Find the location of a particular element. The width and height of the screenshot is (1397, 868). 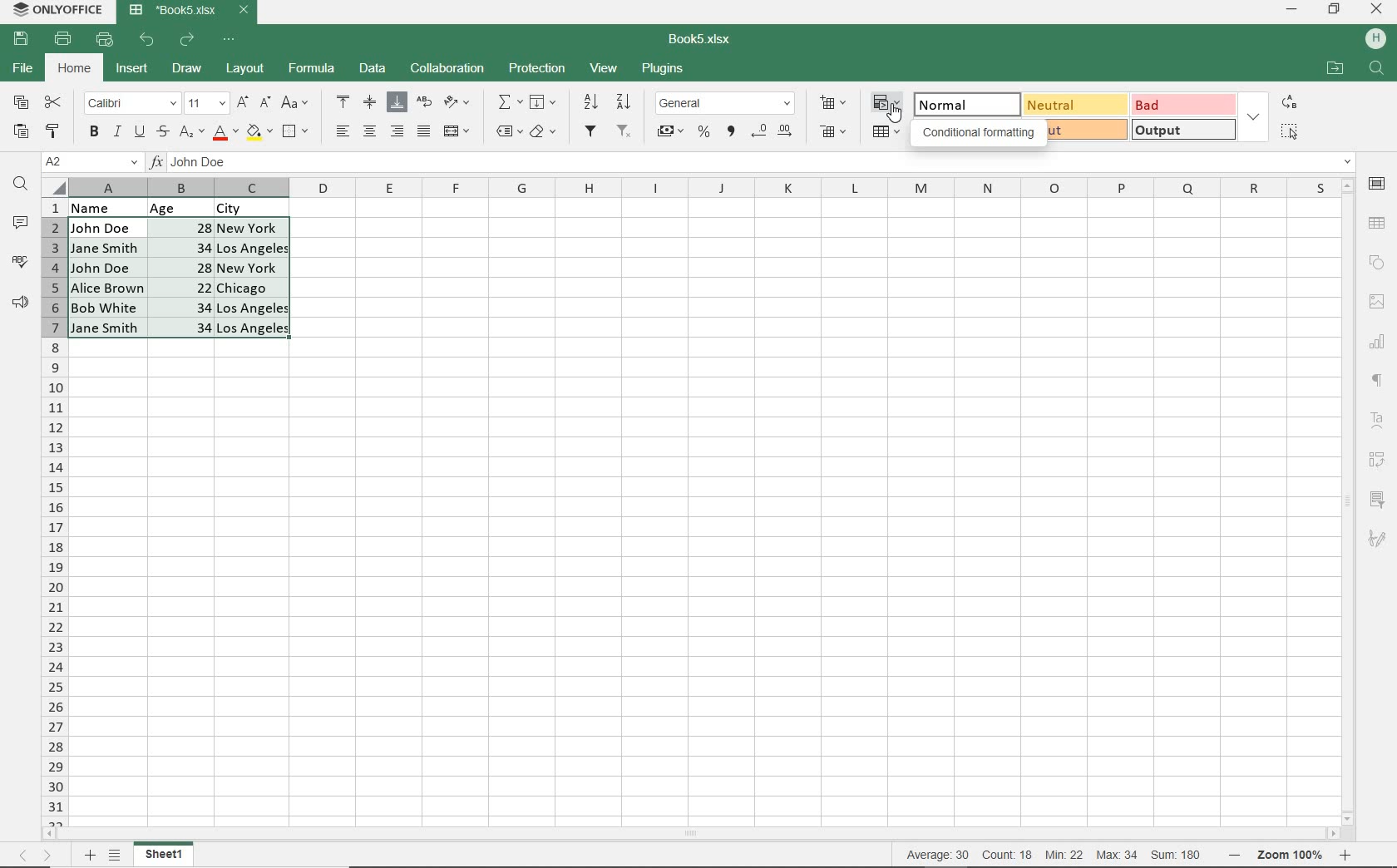

CLOSE is located at coordinates (1377, 10).